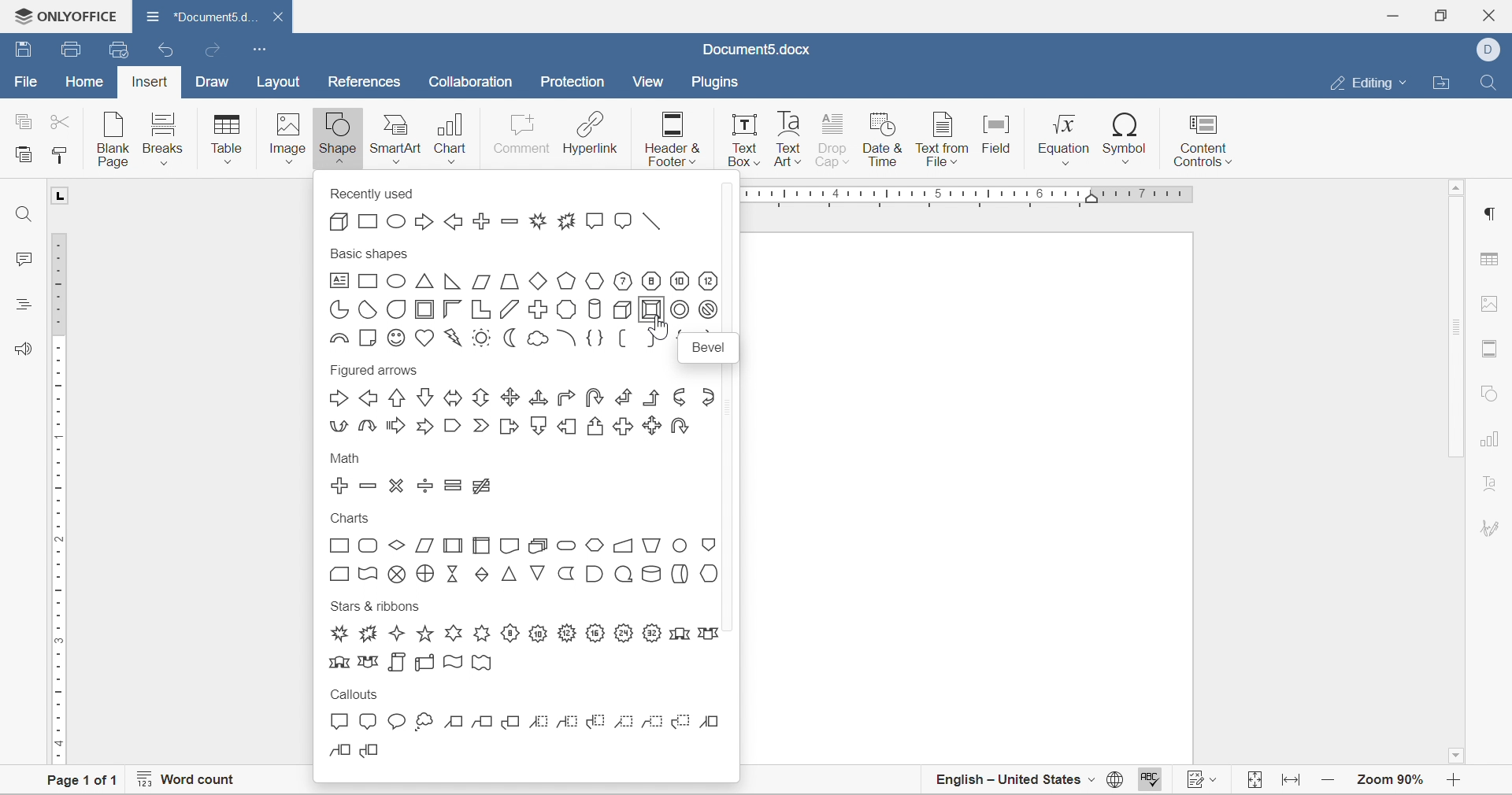 Image resolution: width=1512 pixels, height=795 pixels. Describe the element at coordinates (1295, 784) in the screenshot. I see `fit to width` at that location.